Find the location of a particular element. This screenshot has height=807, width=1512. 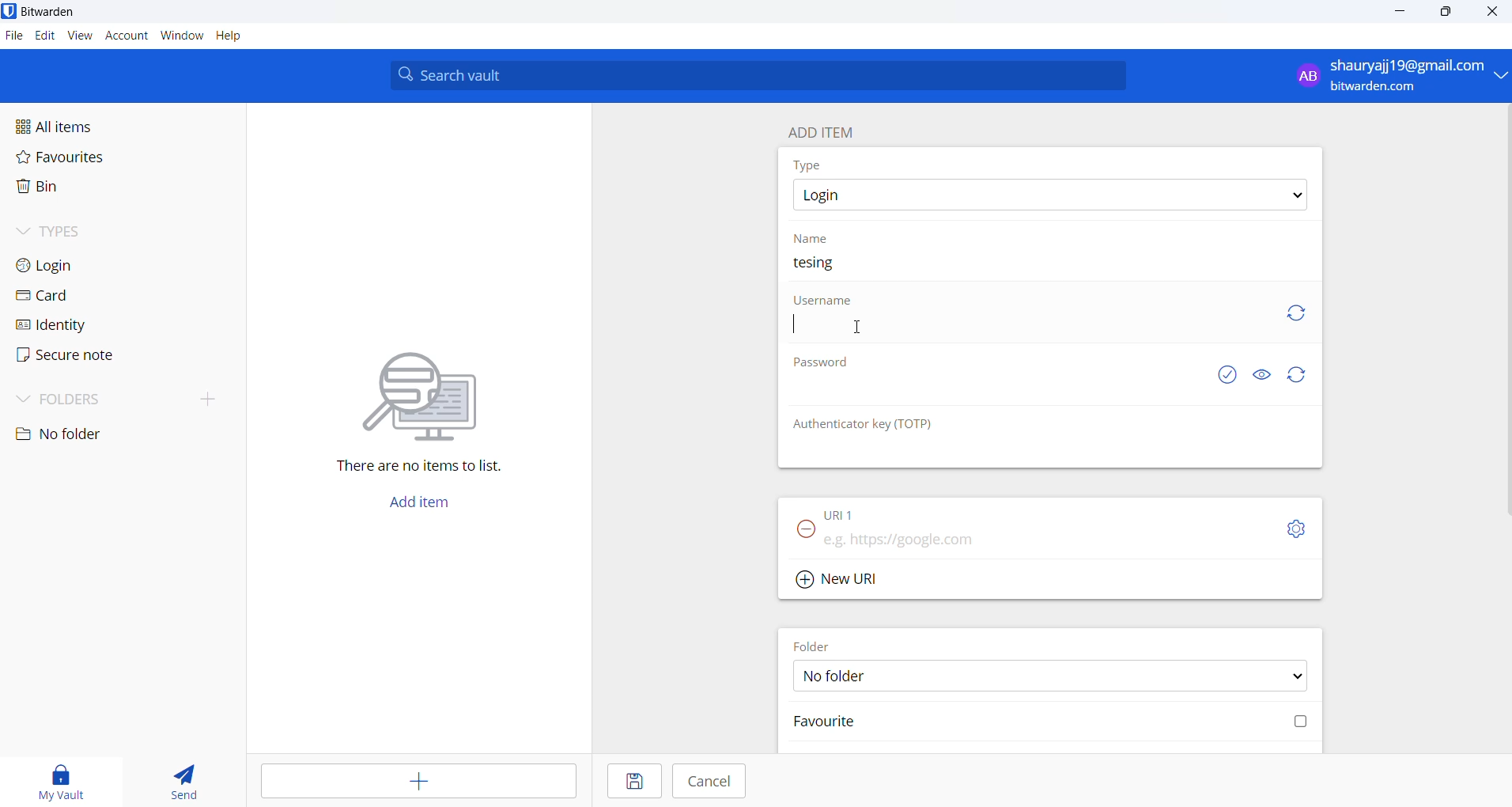

URL settings is located at coordinates (1299, 530).